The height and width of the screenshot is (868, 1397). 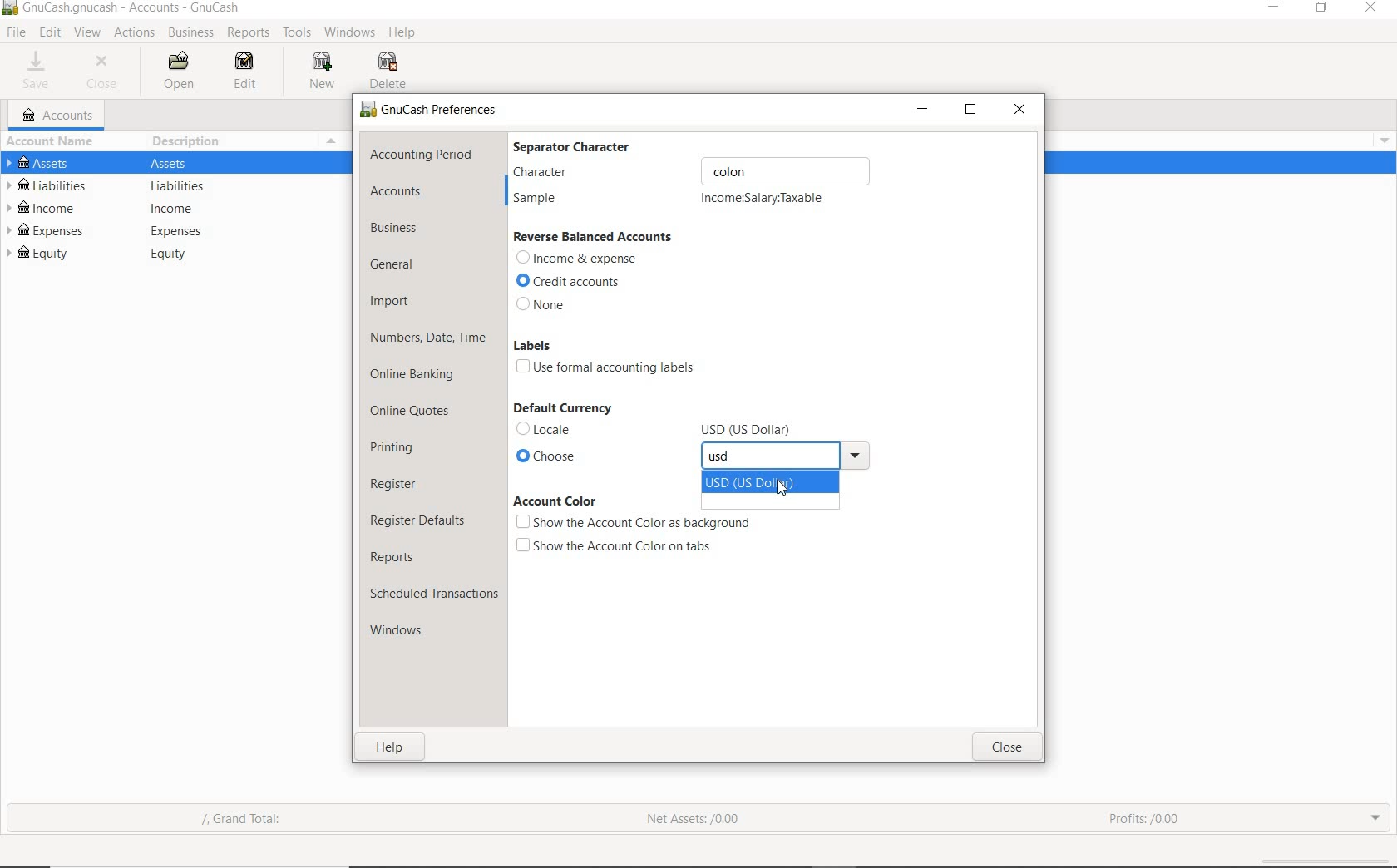 What do you see at coordinates (389, 747) in the screenshot?
I see `help` at bounding box center [389, 747].